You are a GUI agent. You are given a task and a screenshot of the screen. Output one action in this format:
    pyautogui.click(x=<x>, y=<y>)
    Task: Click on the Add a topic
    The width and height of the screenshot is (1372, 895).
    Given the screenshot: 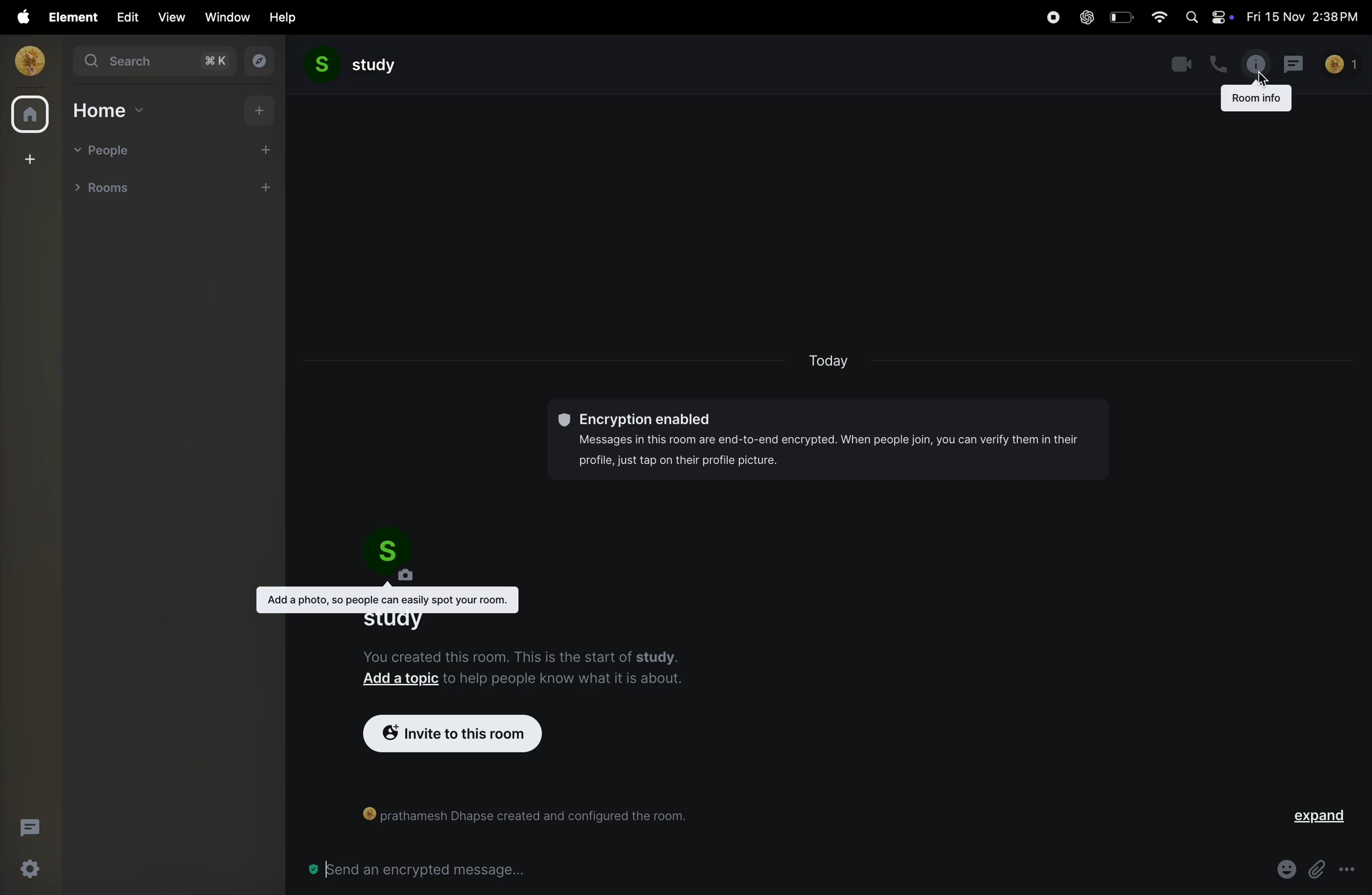 What is the action you would take?
    pyautogui.click(x=399, y=681)
    